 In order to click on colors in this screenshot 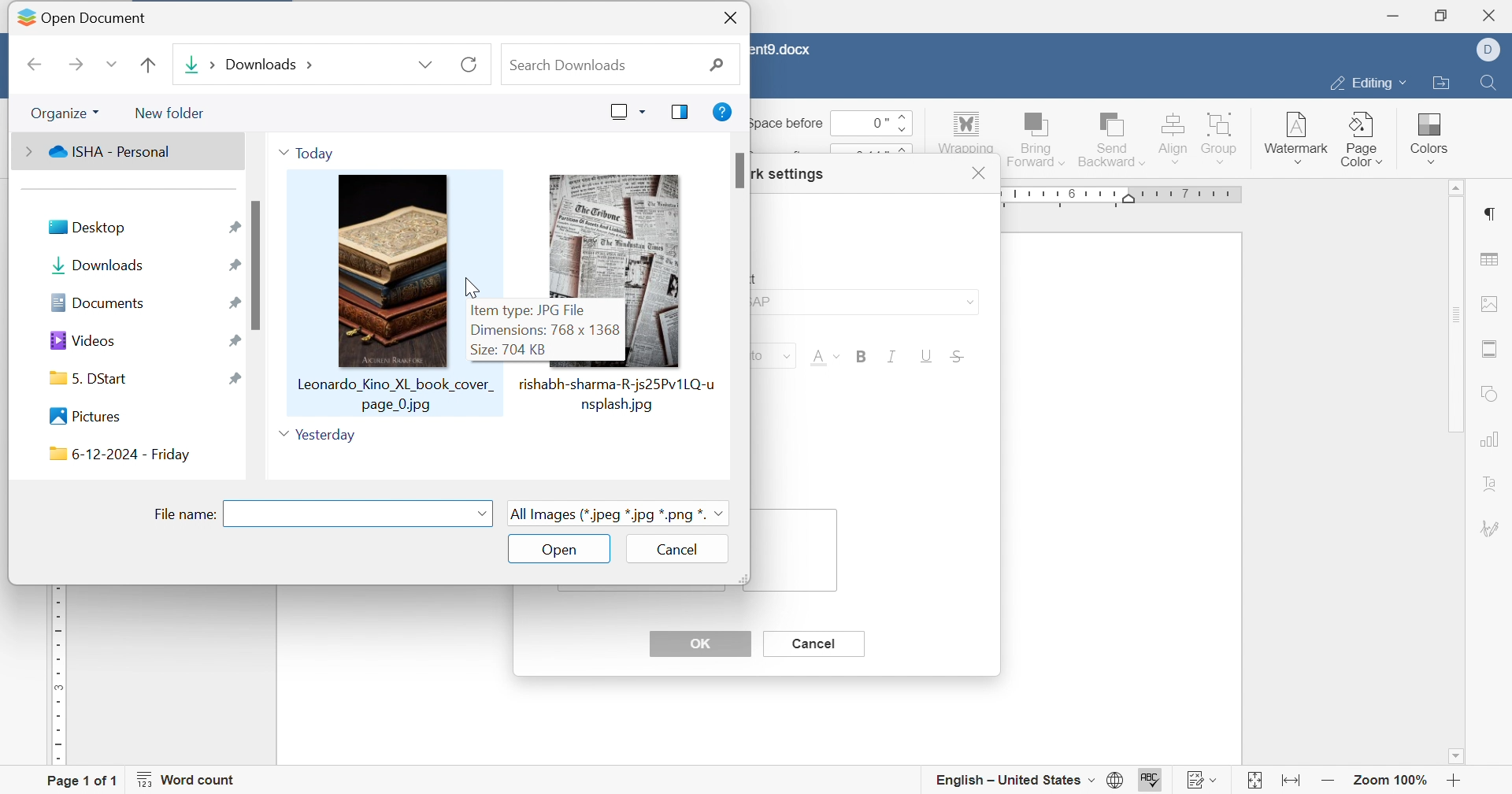, I will do `click(1426, 132)`.